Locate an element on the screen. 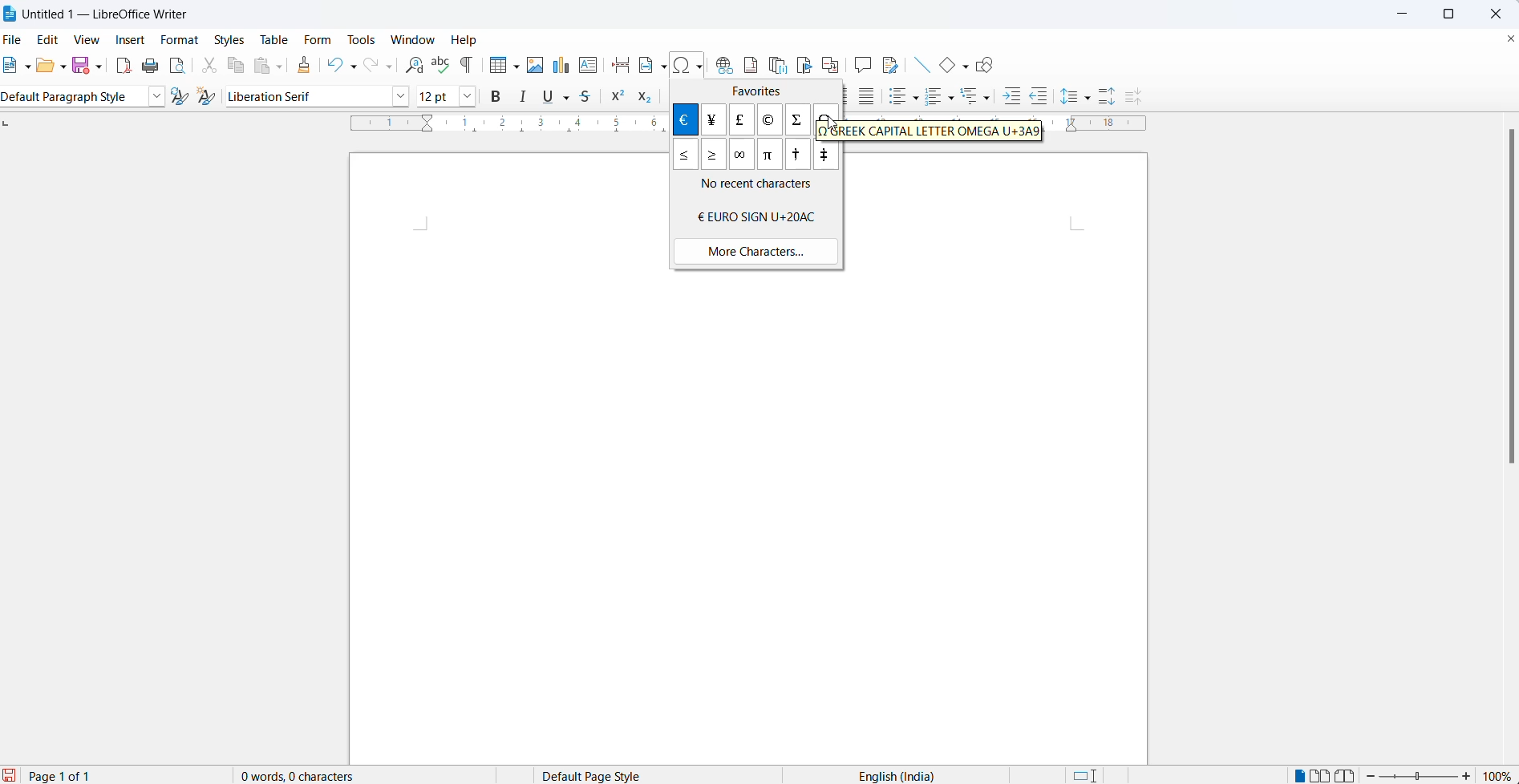 This screenshot has width=1519, height=784. cut is located at coordinates (205, 68).